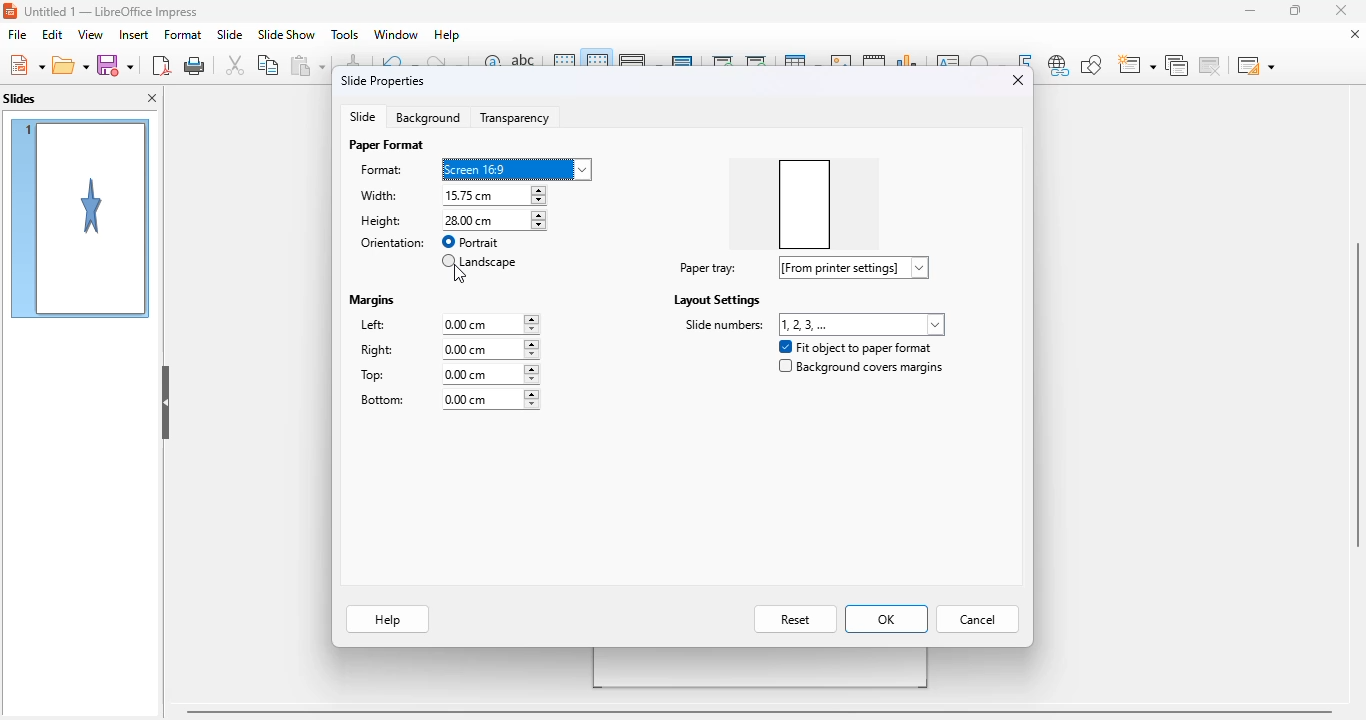  What do you see at coordinates (269, 65) in the screenshot?
I see `copy` at bounding box center [269, 65].